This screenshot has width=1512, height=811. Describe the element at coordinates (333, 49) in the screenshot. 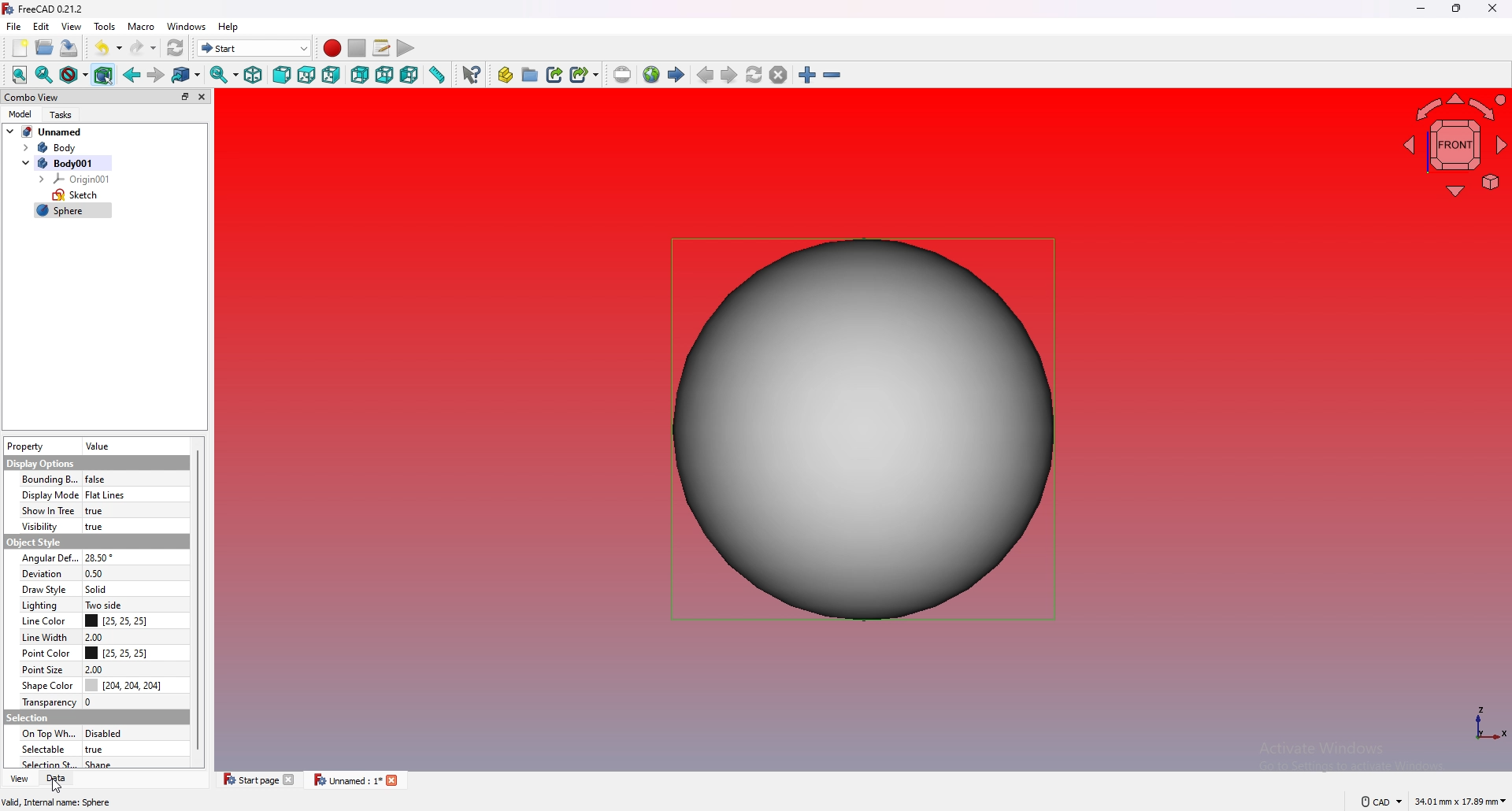

I see `record macro` at that location.